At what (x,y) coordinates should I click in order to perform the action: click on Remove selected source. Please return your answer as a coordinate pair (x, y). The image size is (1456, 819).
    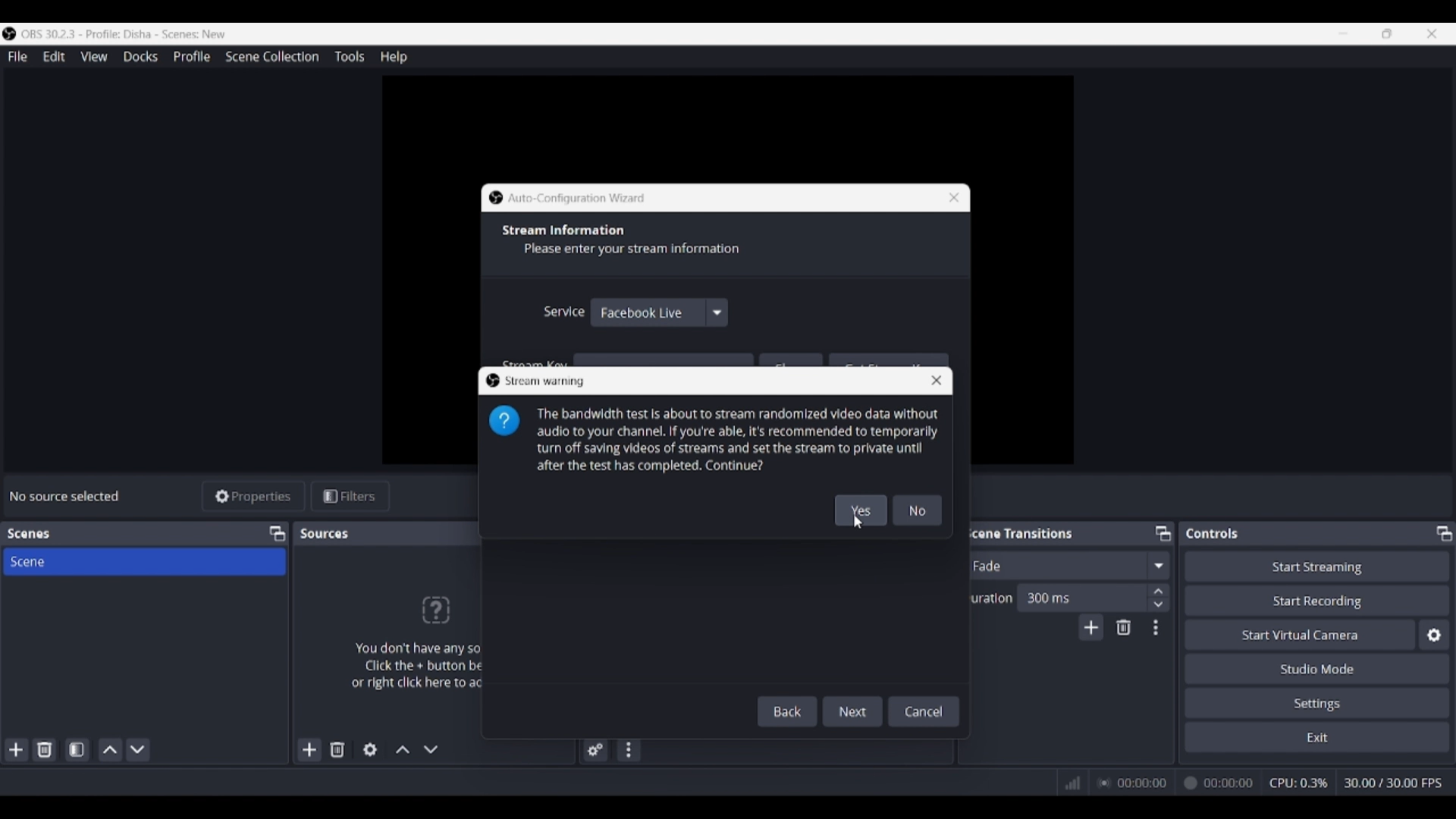
    Looking at the image, I should click on (337, 749).